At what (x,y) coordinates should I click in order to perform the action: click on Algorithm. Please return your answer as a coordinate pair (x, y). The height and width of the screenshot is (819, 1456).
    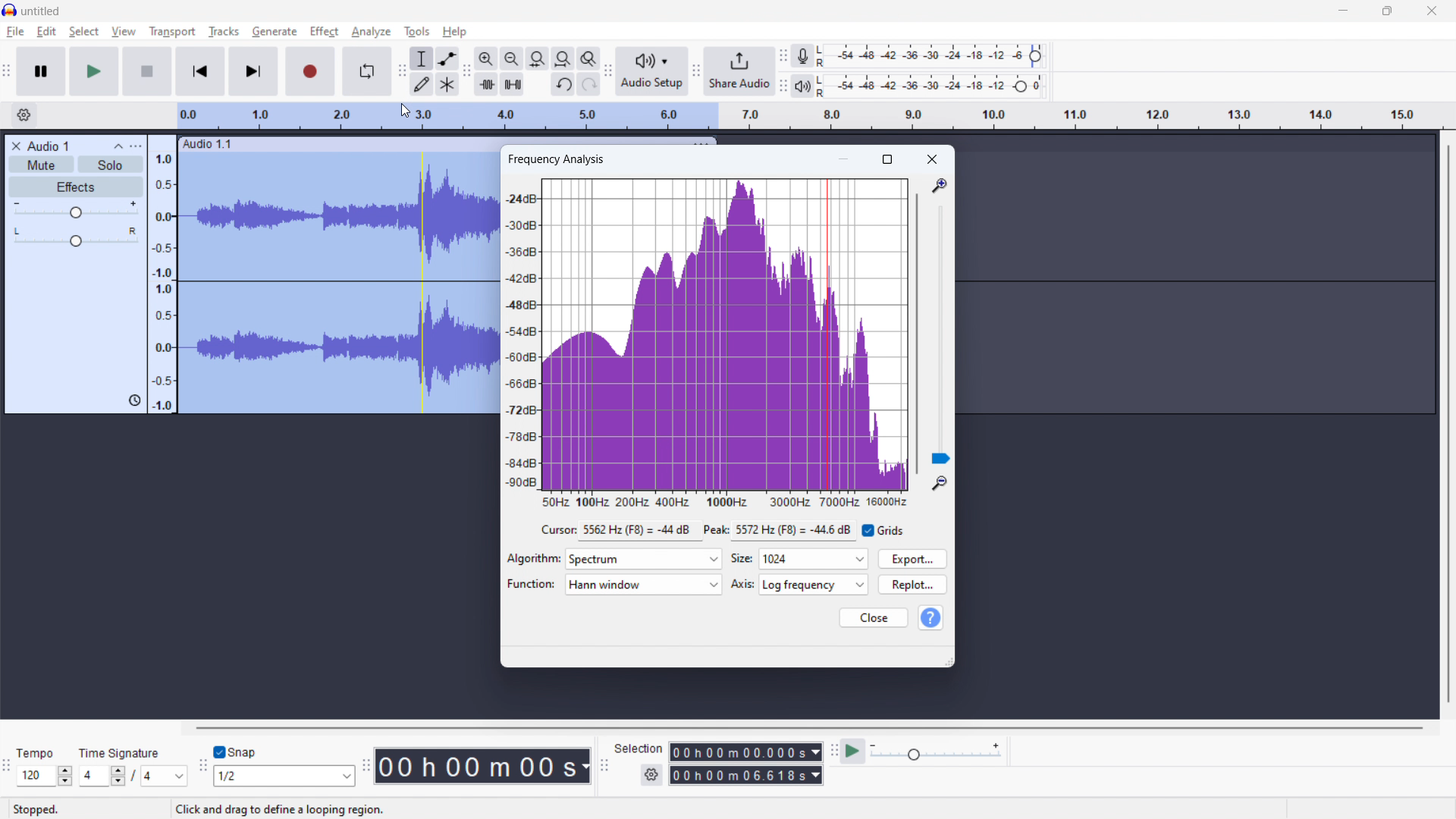
    Looking at the image, I should click on (534, 559).